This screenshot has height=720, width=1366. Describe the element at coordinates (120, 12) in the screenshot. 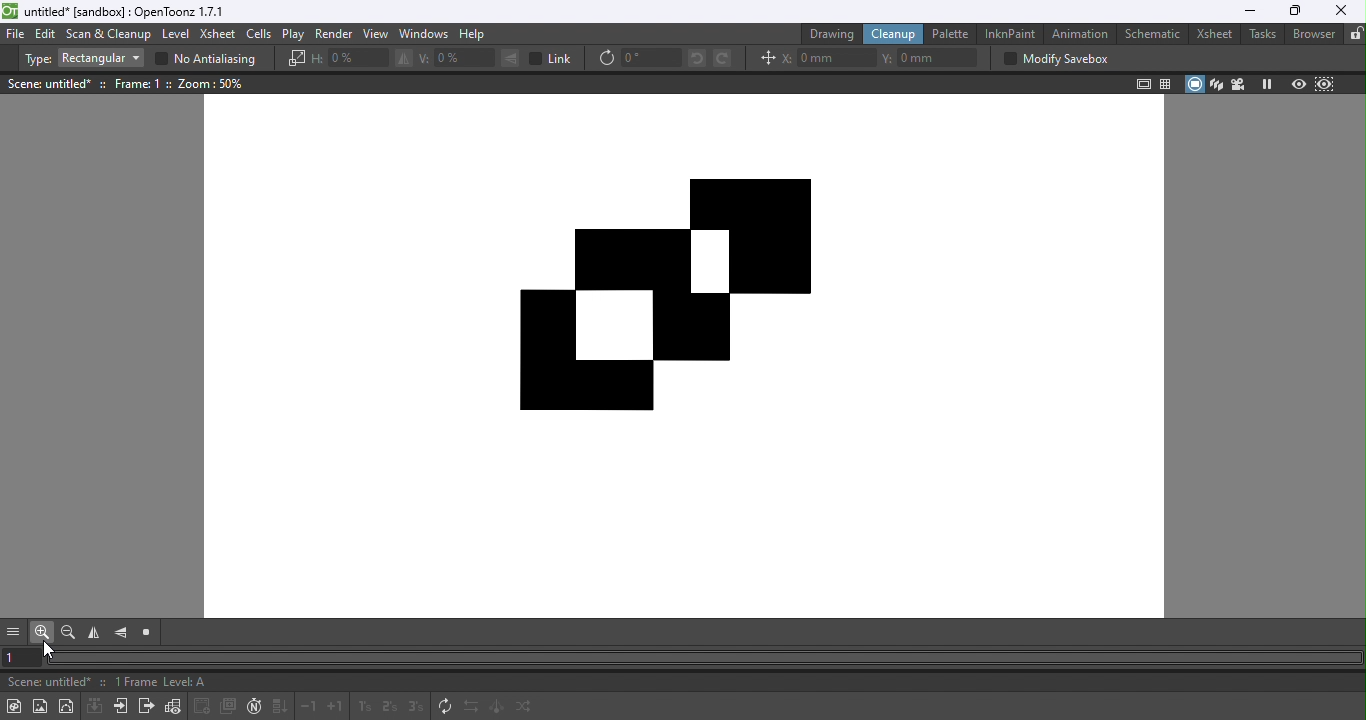

I see `File name` at that location.